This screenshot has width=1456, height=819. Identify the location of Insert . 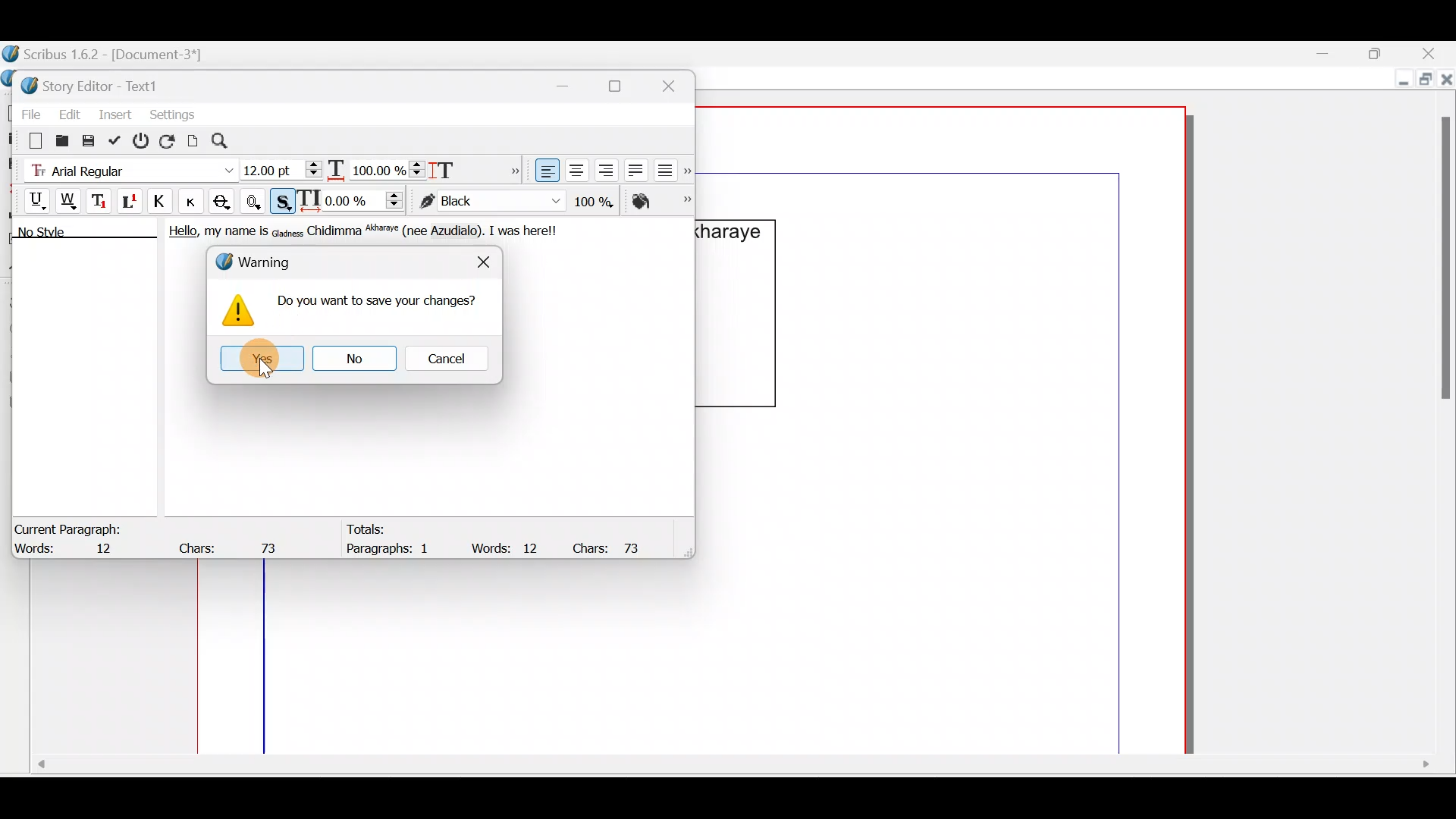
(116, 113).